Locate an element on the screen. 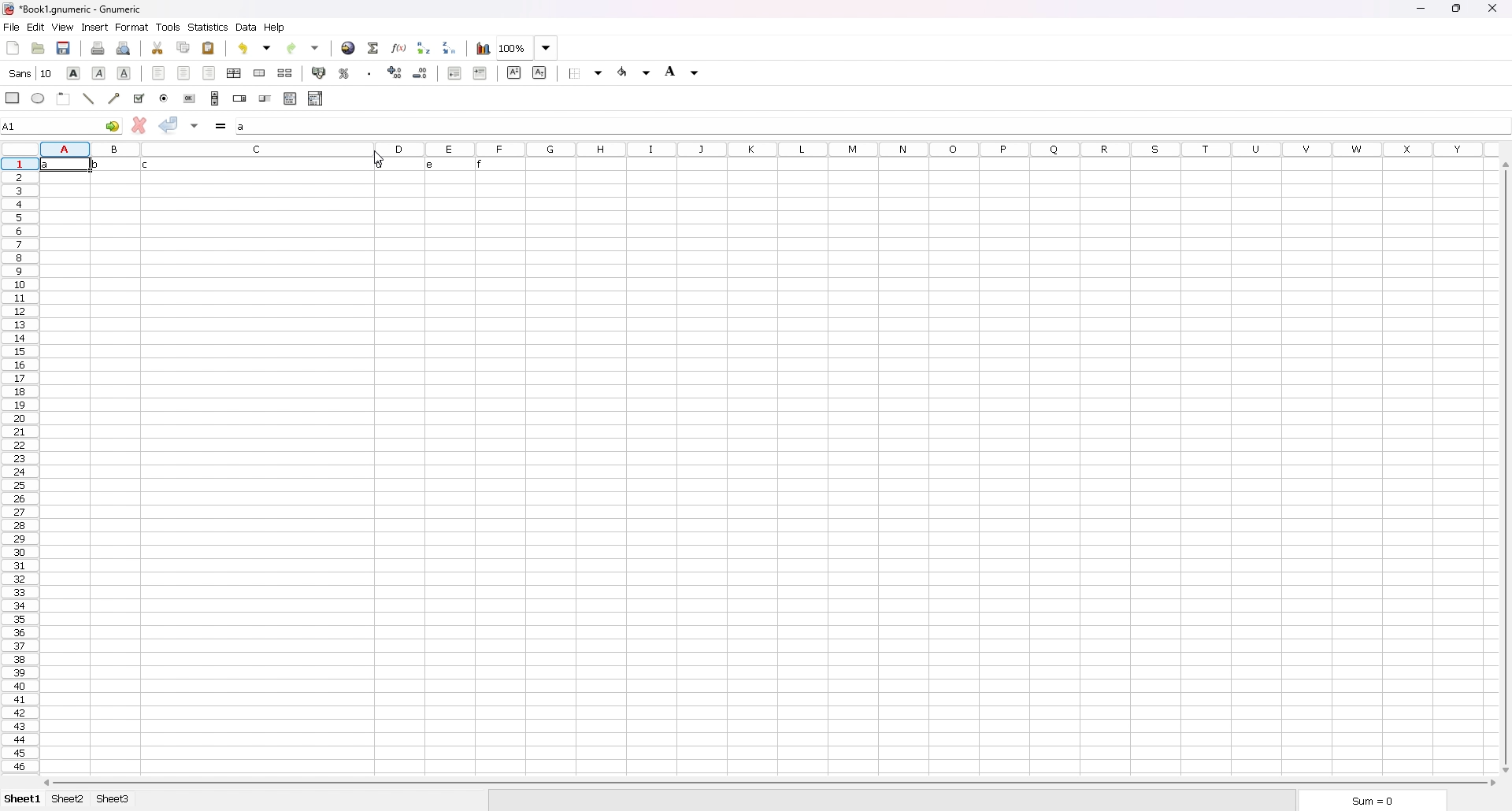 This screenshot has width=1512, height=811. scroll bar is located at coordinates (215, 98).